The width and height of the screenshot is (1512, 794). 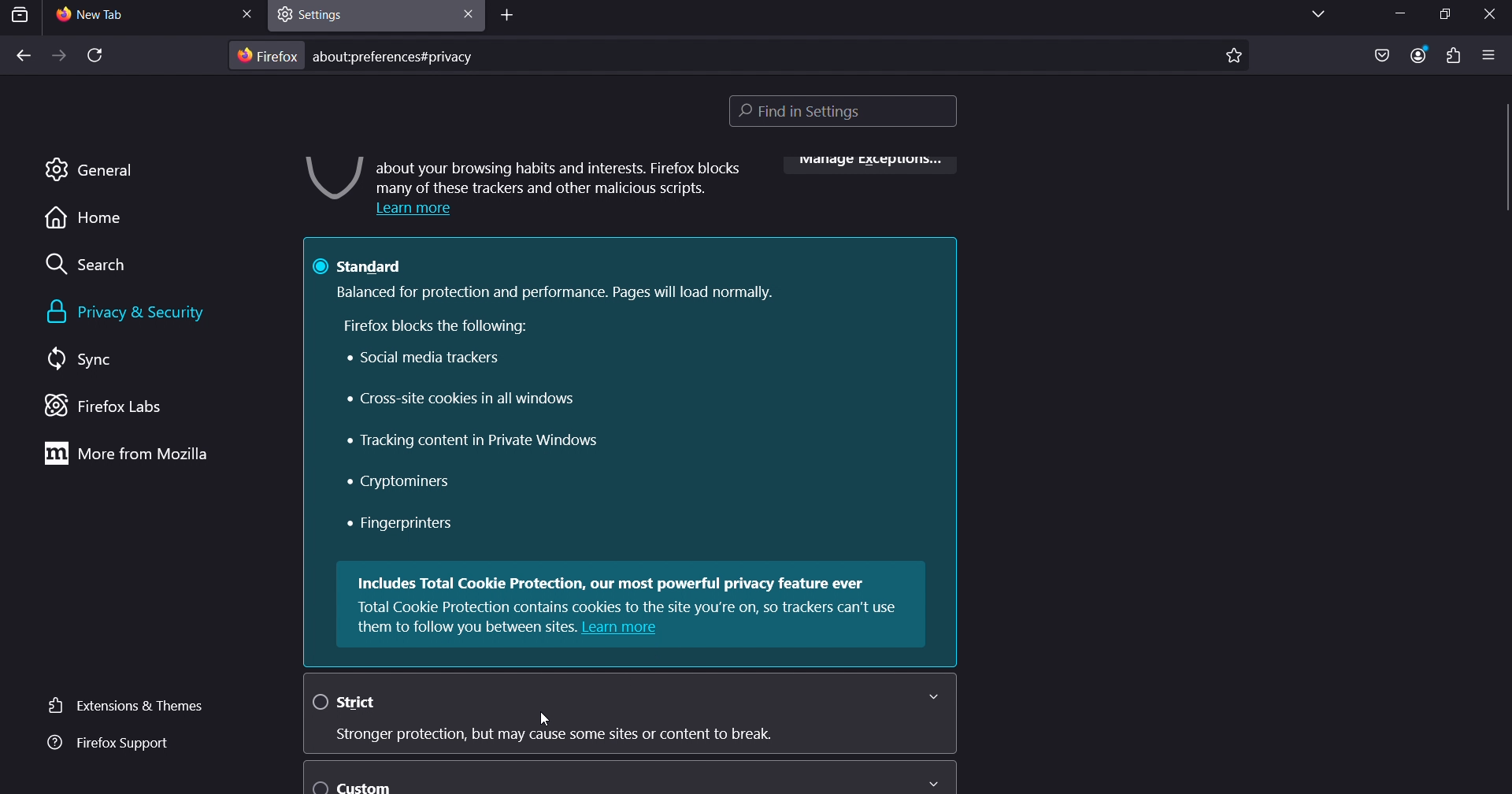 What do you see at coordinates (20, 15) in the screenshot?
I see `search tab` at bounding box center [20, 15].